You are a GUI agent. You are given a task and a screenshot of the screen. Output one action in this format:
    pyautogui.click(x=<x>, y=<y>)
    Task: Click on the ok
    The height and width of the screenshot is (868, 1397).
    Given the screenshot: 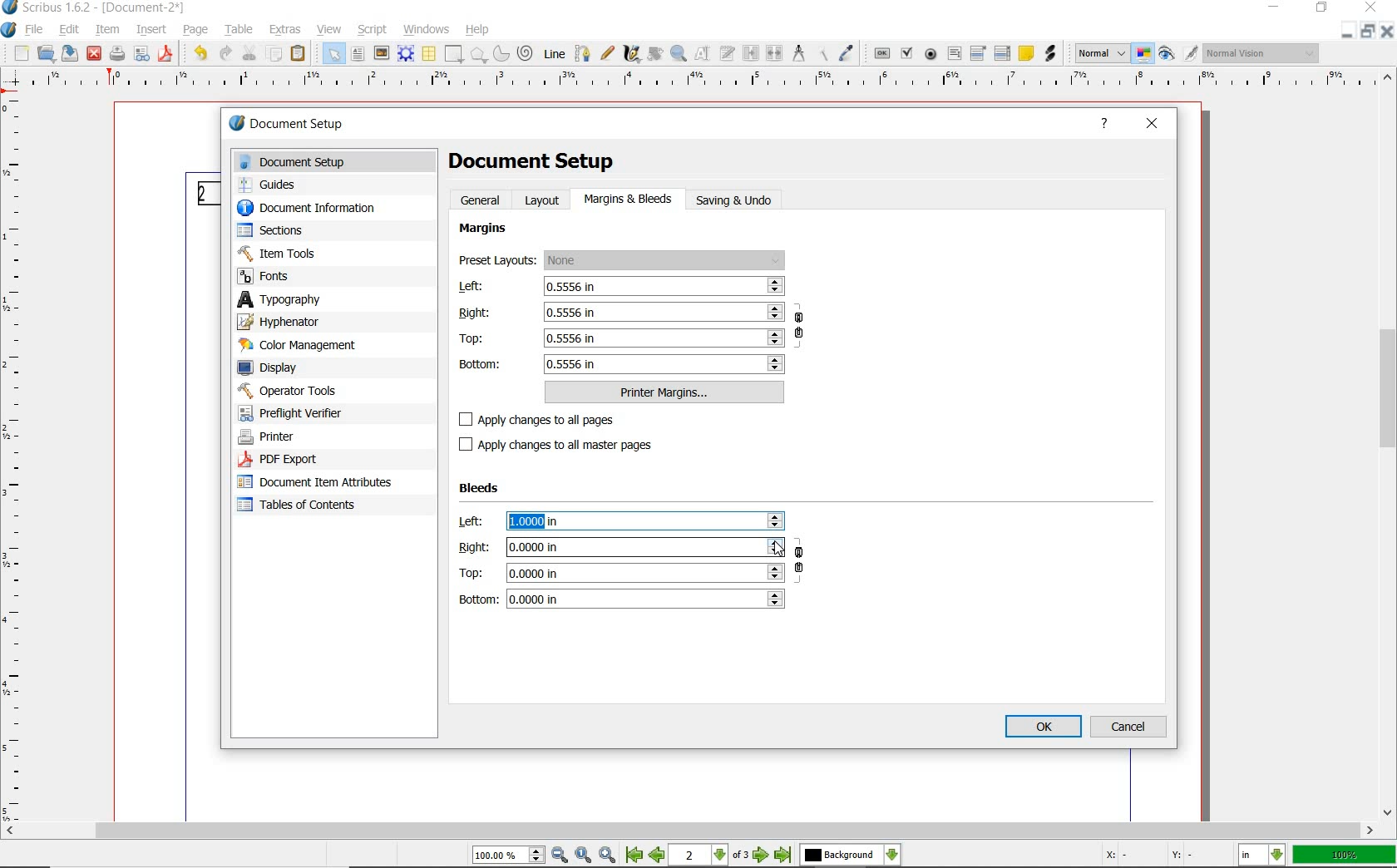 What is the action you would take?
    pyautogui.click(x=1043, y=726)
    